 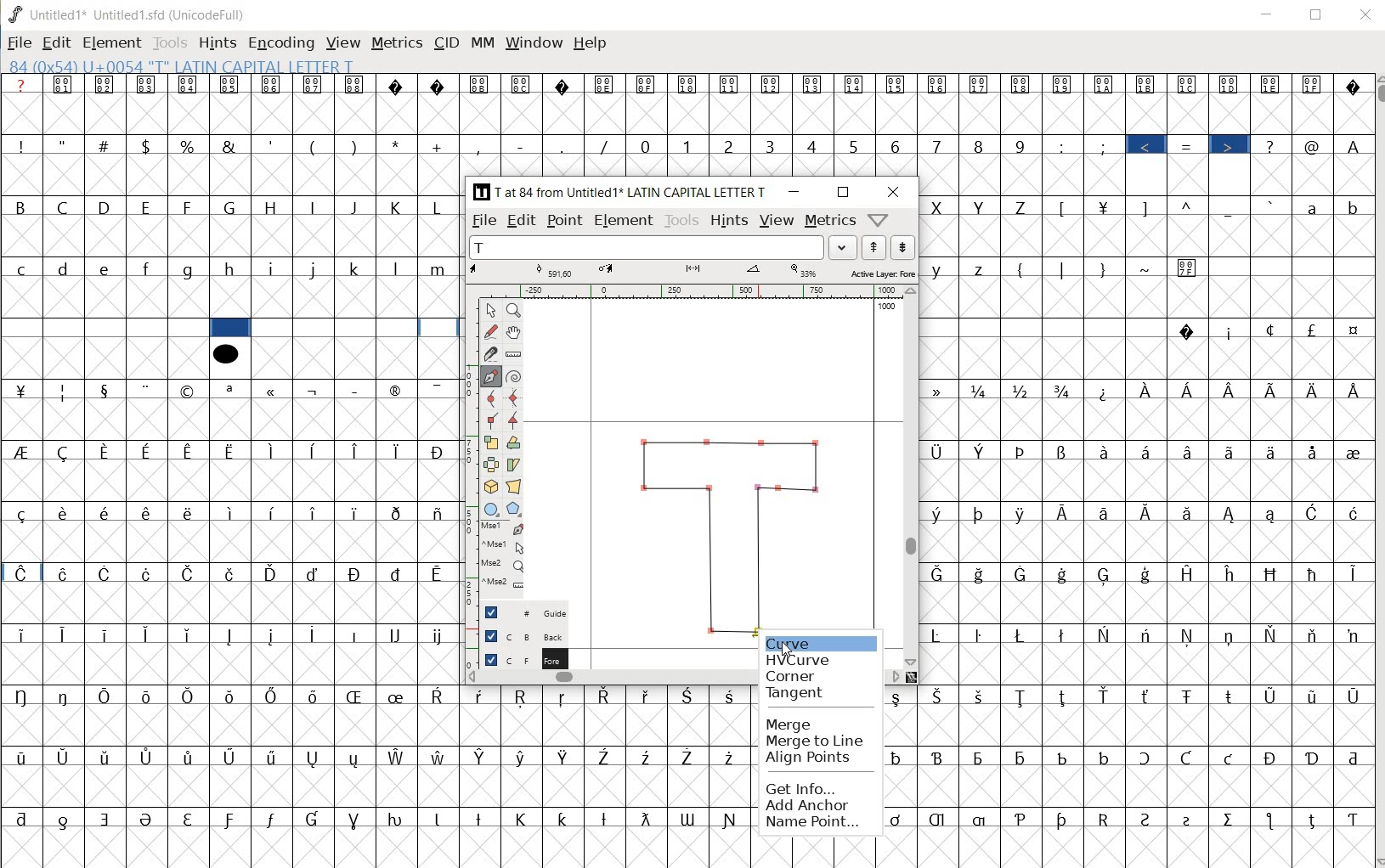 I want to click on Symbol, so click(x=1232, y=391).